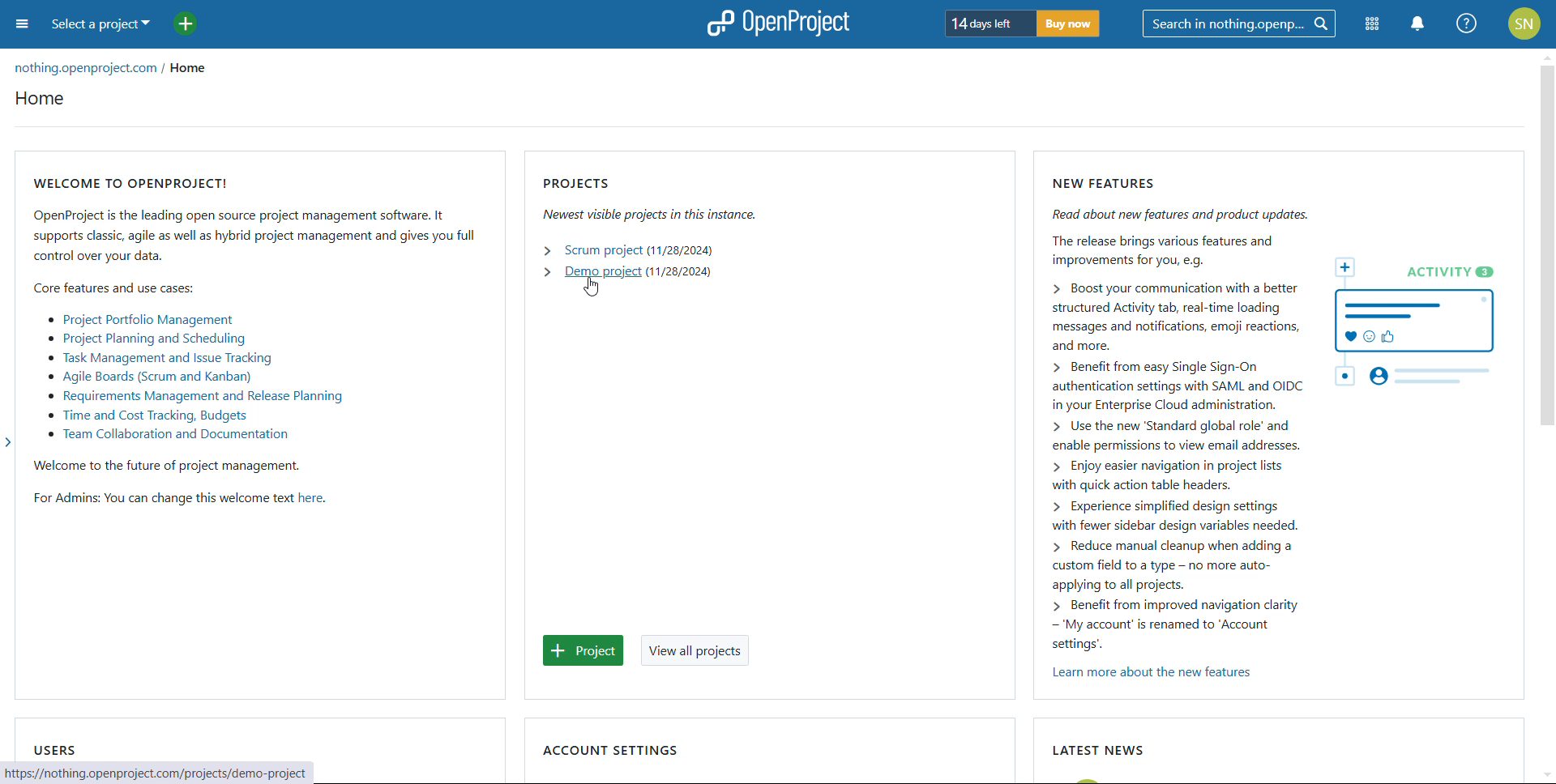 The height and width of the screenshot is (784, 1556). I want to click on team collaboration & documentation, so click(167, 435).